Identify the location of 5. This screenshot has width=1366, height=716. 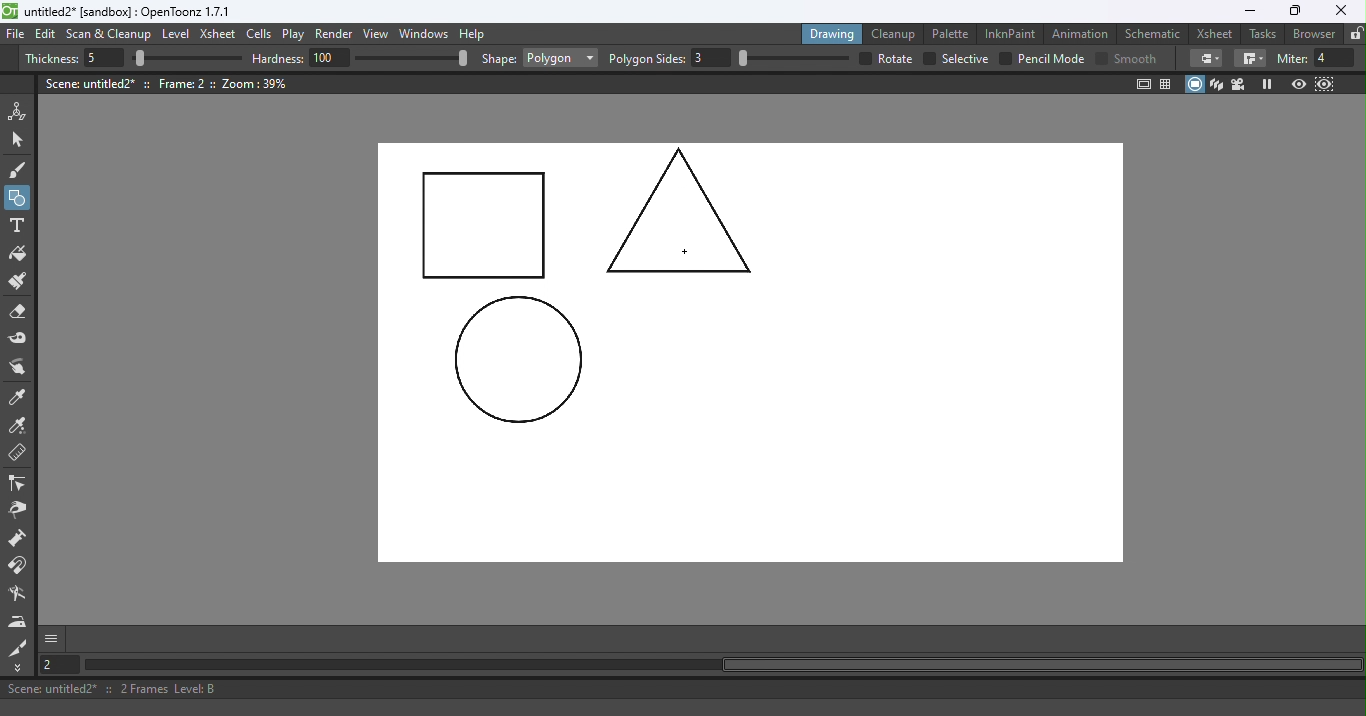
(101, 59).